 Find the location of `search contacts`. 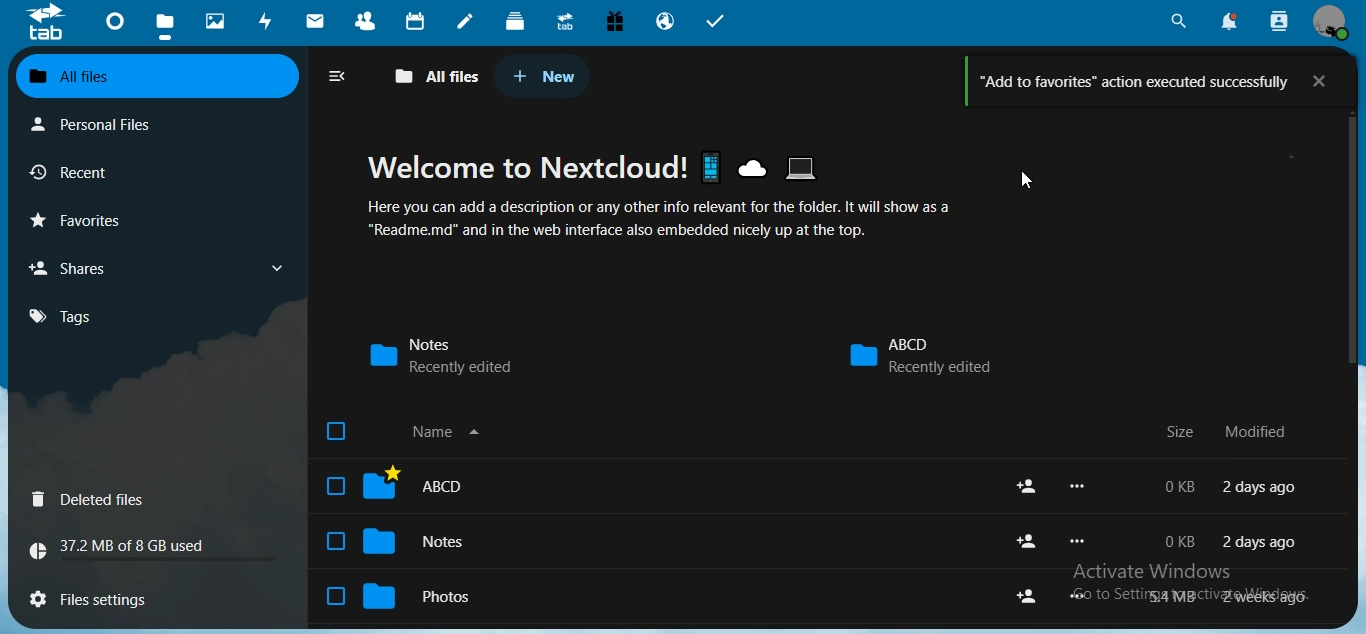

search contacts is located at coordinates (1278, 23).